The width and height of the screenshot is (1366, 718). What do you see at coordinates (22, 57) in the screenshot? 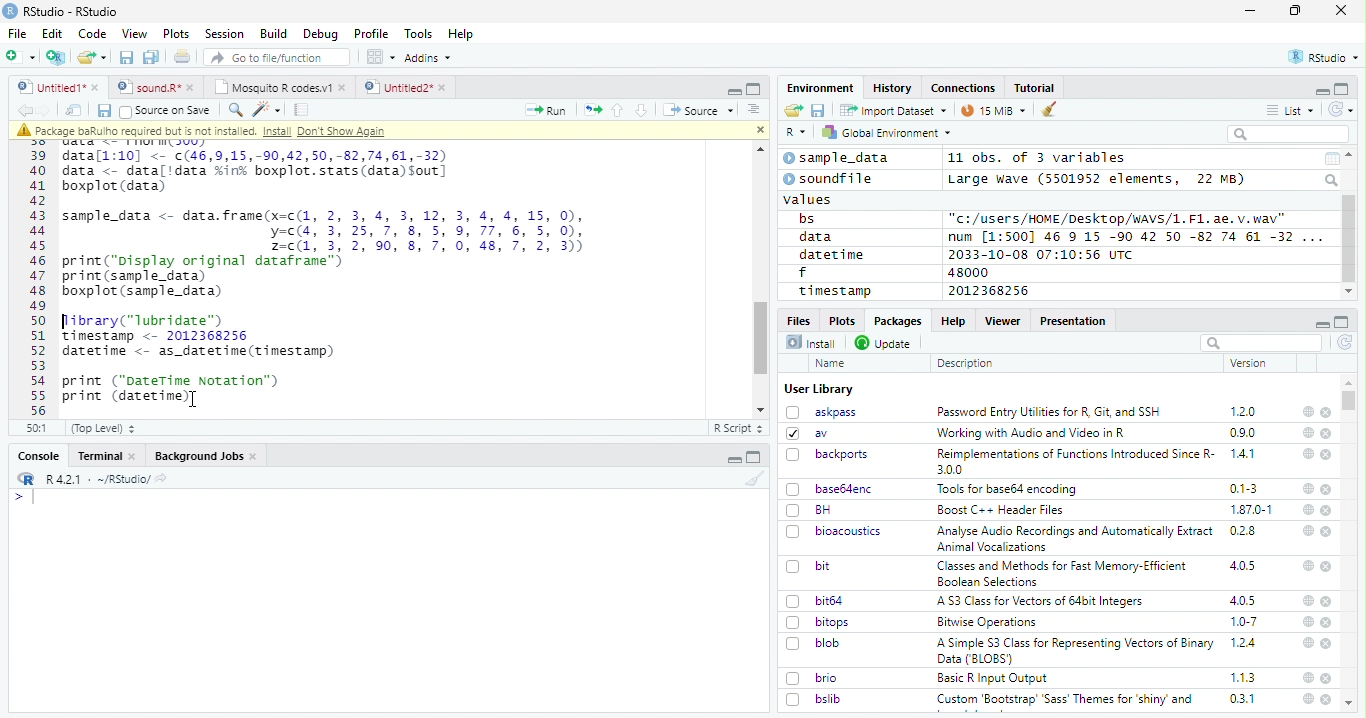
I see `New file` at bounding box center [22, 57].